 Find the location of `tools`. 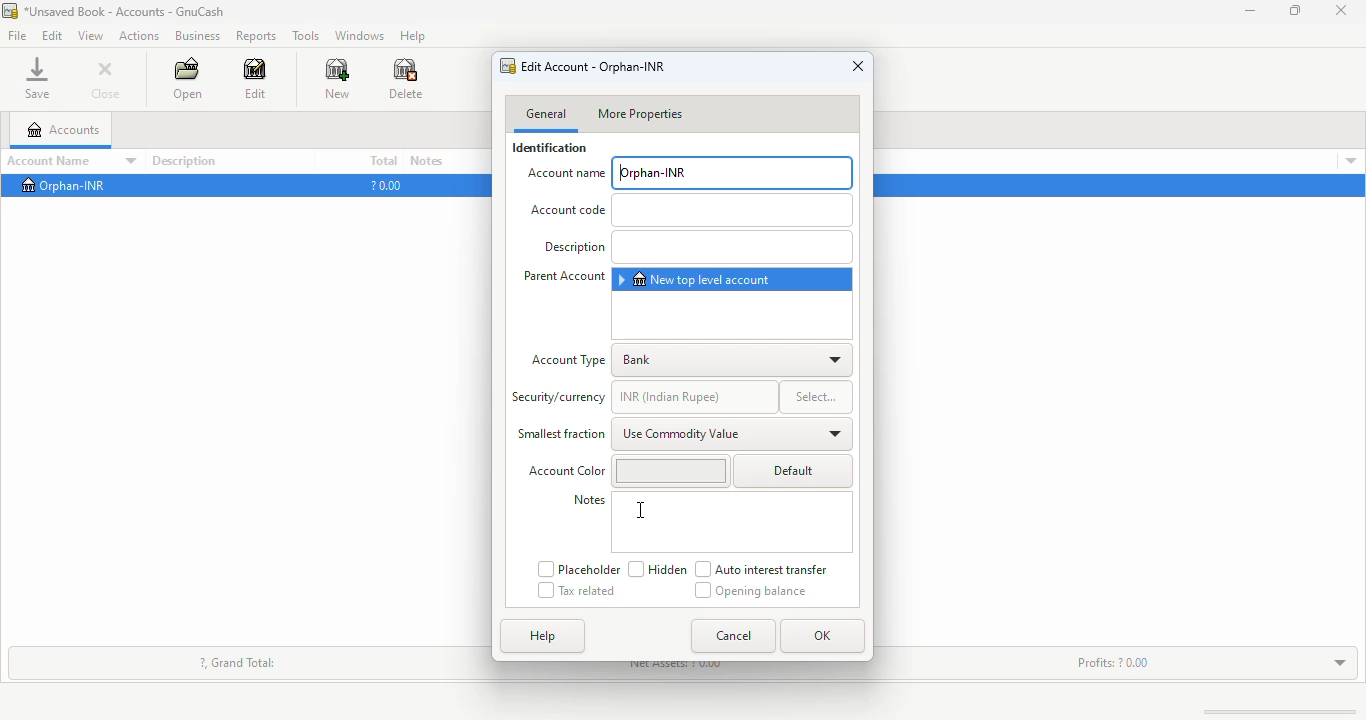

tools is located at coordinates (306, 37).